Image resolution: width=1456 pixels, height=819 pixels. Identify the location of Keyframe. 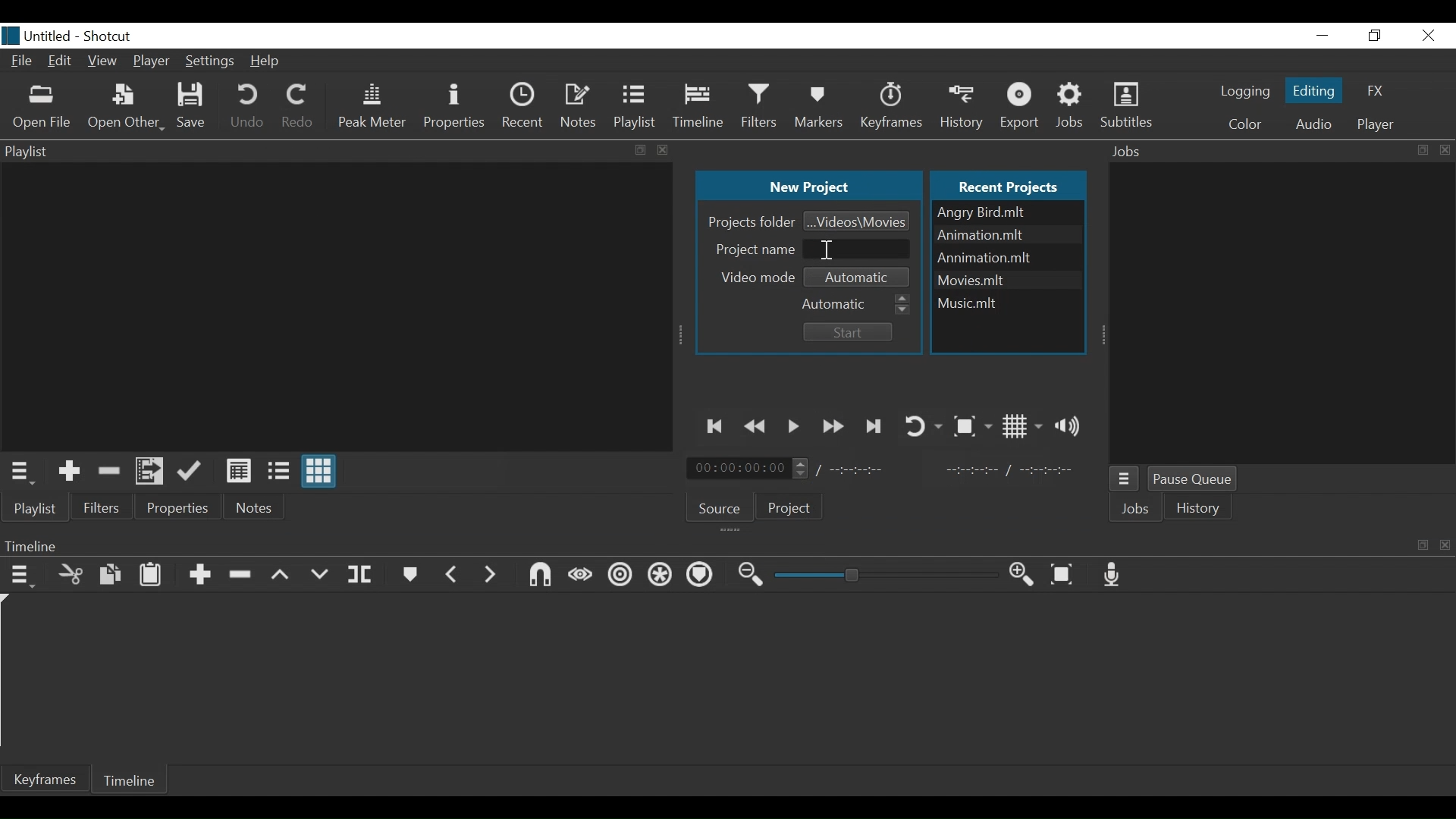
(46, 779).